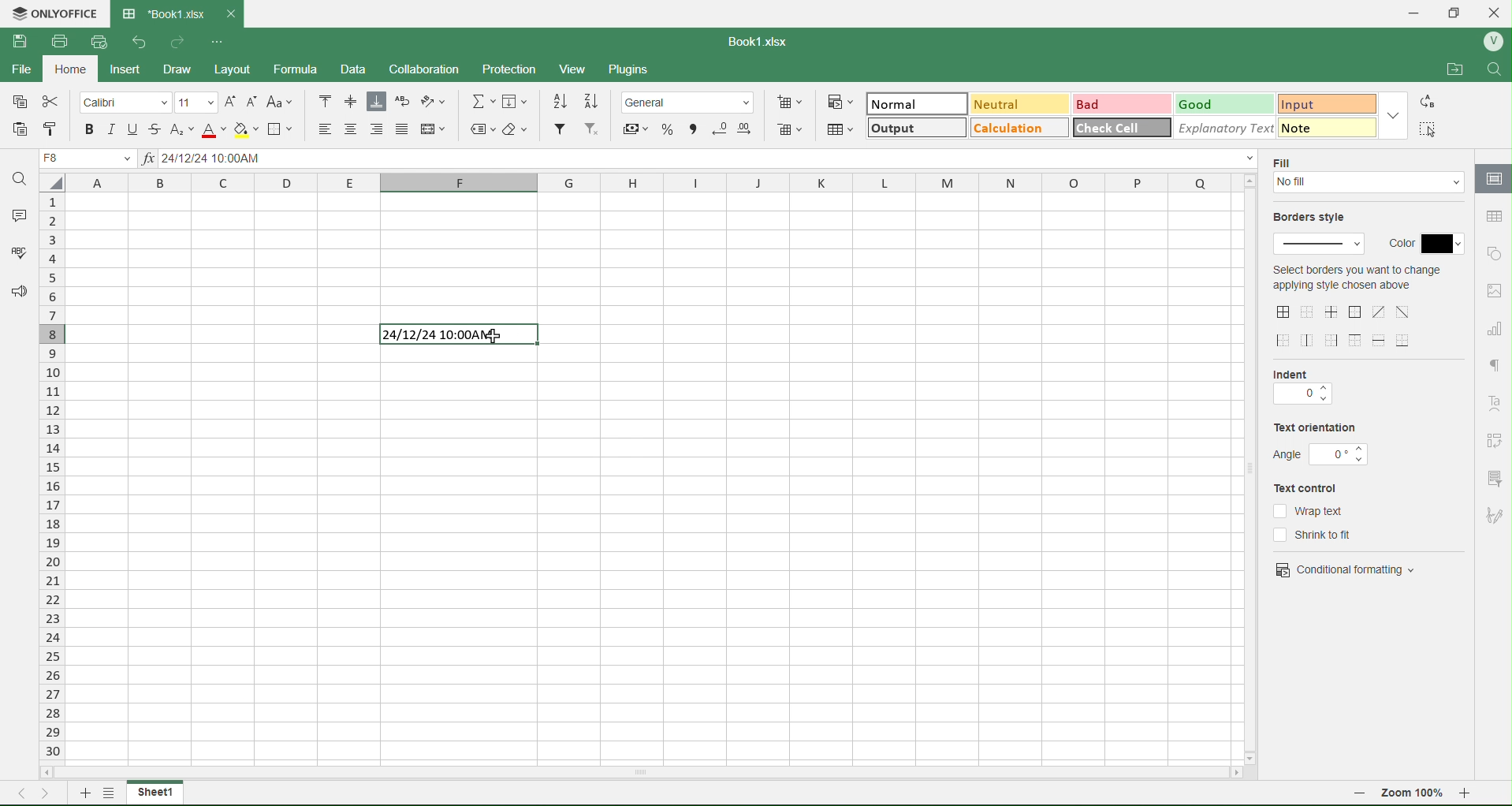 The height and width of the screenshot is (806, 1512). I want to click on Draw, so click(192, 66).